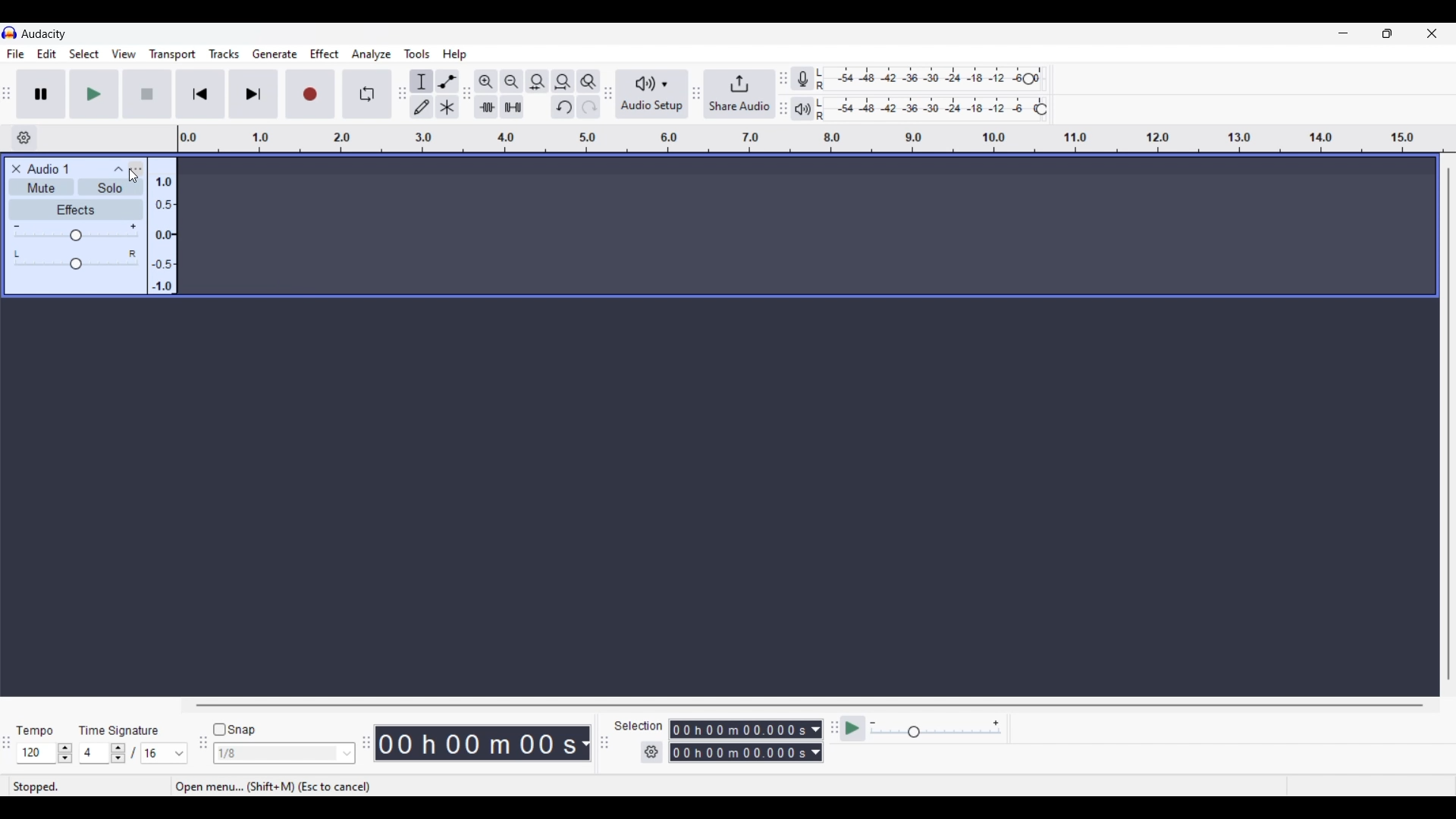 The image size is (1456, 819). Describe the element at coordinates (94, 93) in the screenshot. I see `Play/Play once` at that location.